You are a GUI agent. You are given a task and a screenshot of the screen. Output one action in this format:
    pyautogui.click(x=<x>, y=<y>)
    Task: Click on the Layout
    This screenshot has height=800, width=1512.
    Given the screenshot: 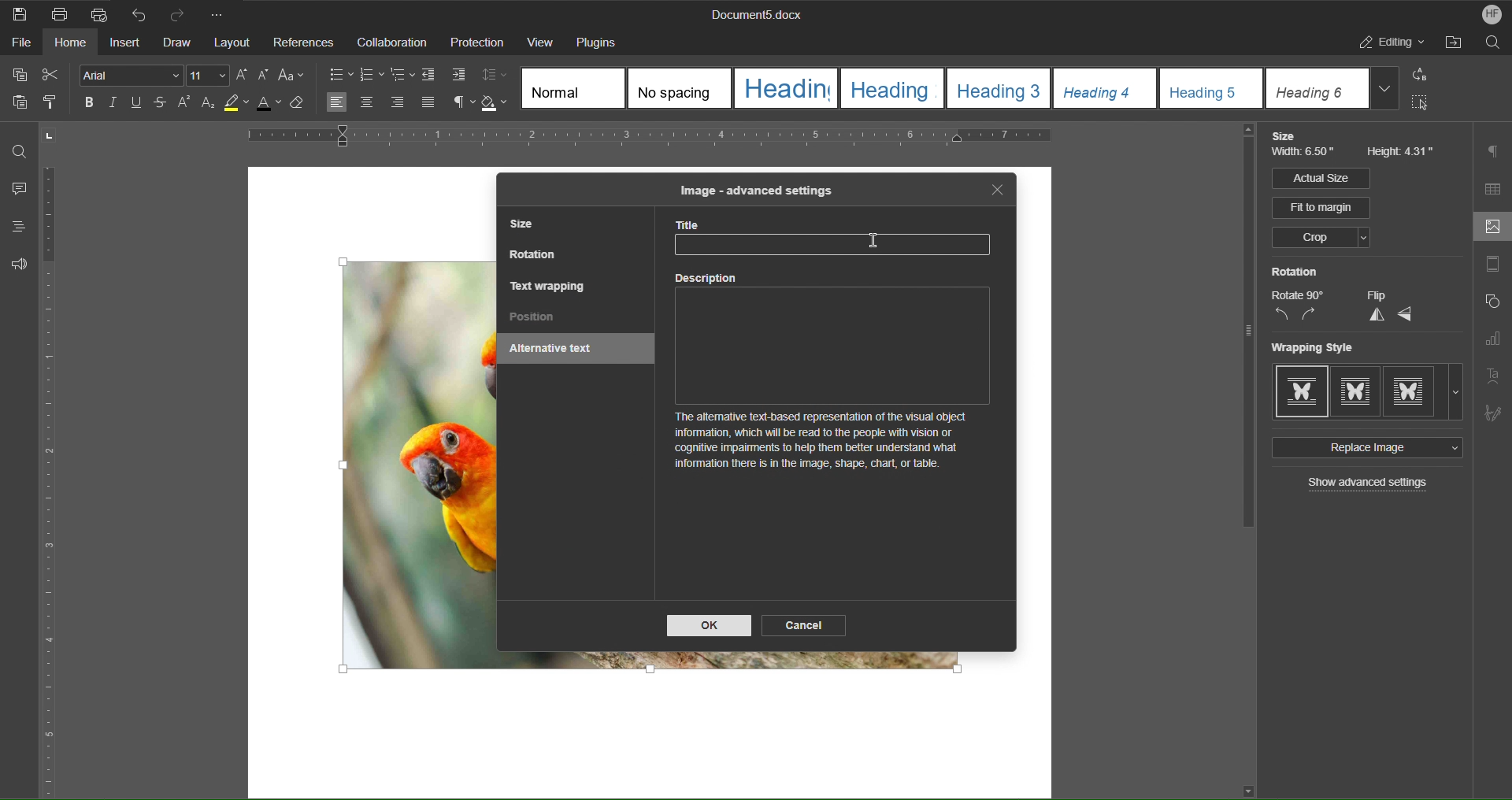 What is the action you would take?
    pyautogui.click(x=234, y=43)
    